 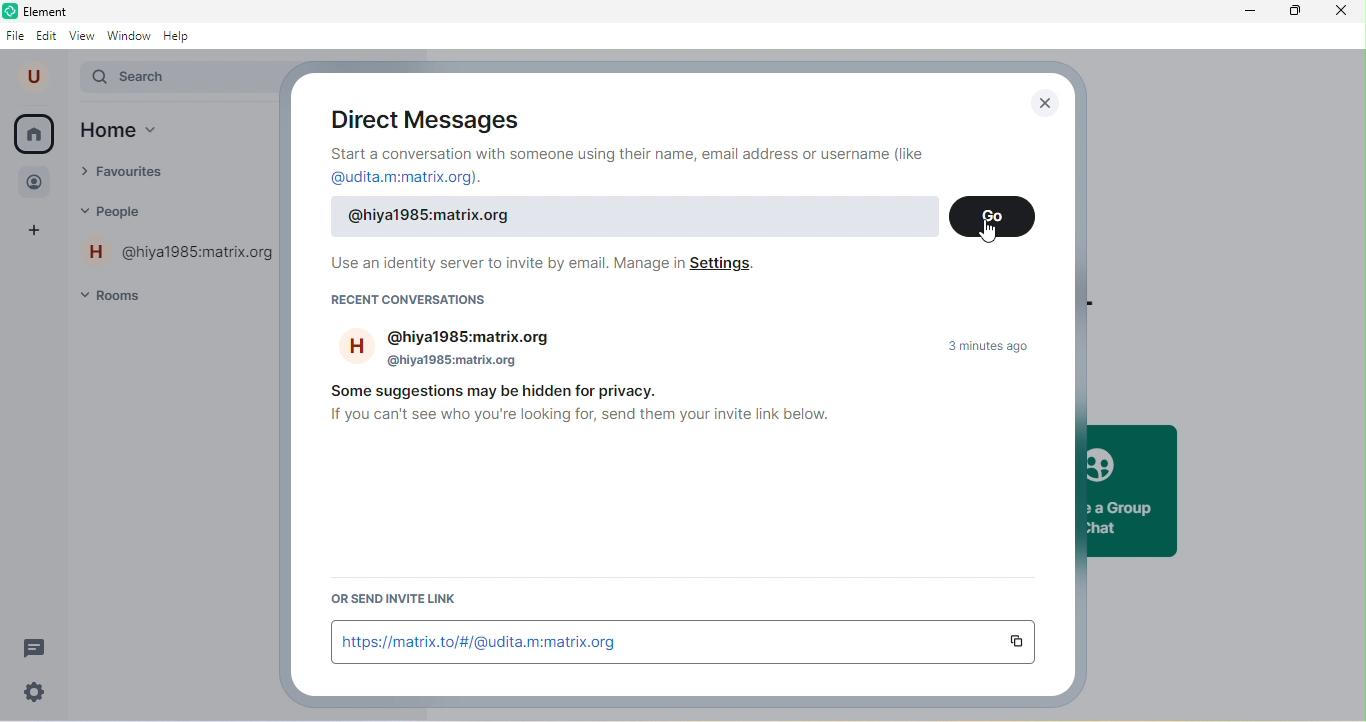 What do you see at coordinates (16, 34) in the screenshot?
I see `file` at bounding box center [16, 34].